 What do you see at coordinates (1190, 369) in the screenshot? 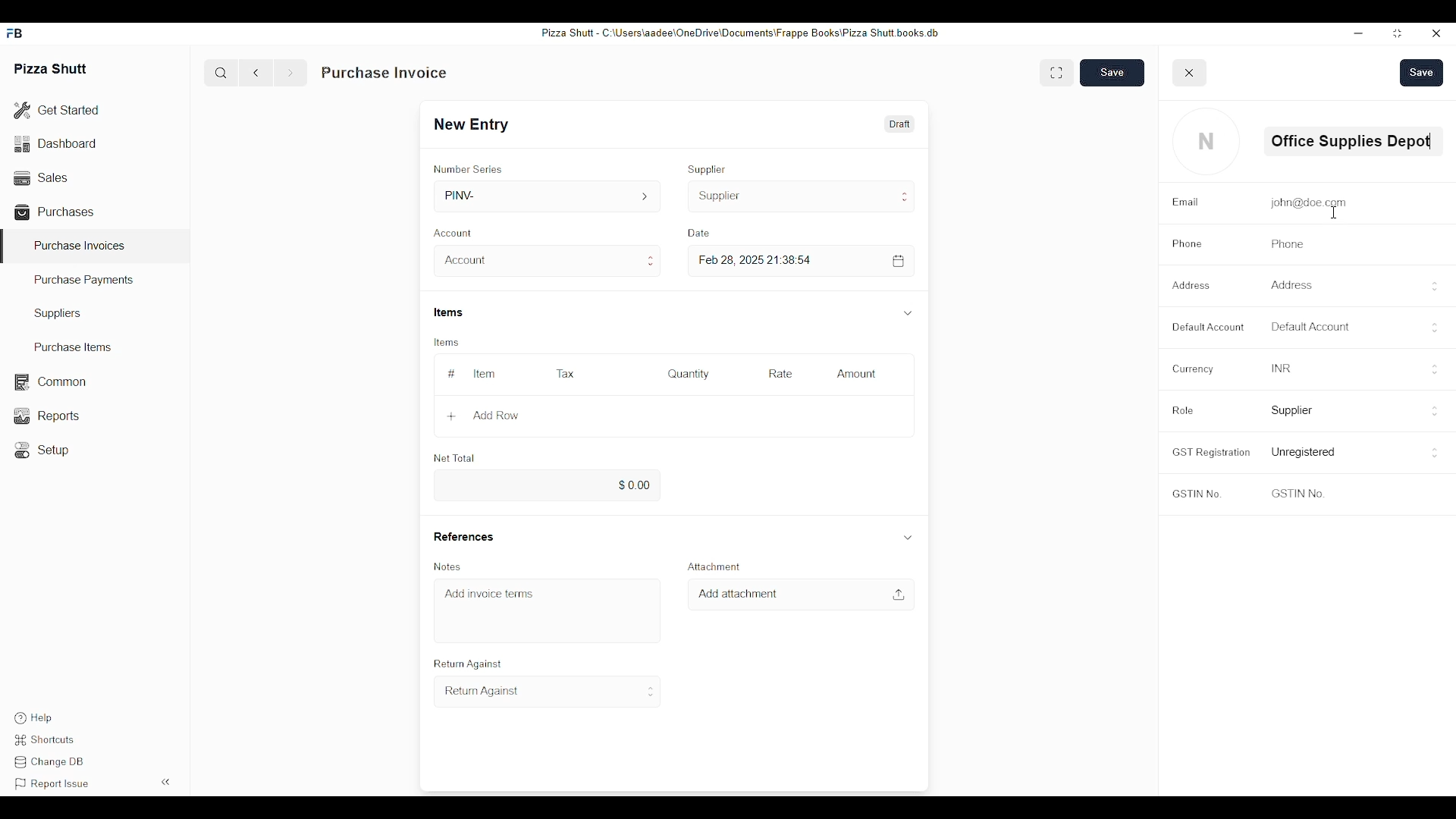
I see `Currency` at bounding box center [1190, 369].